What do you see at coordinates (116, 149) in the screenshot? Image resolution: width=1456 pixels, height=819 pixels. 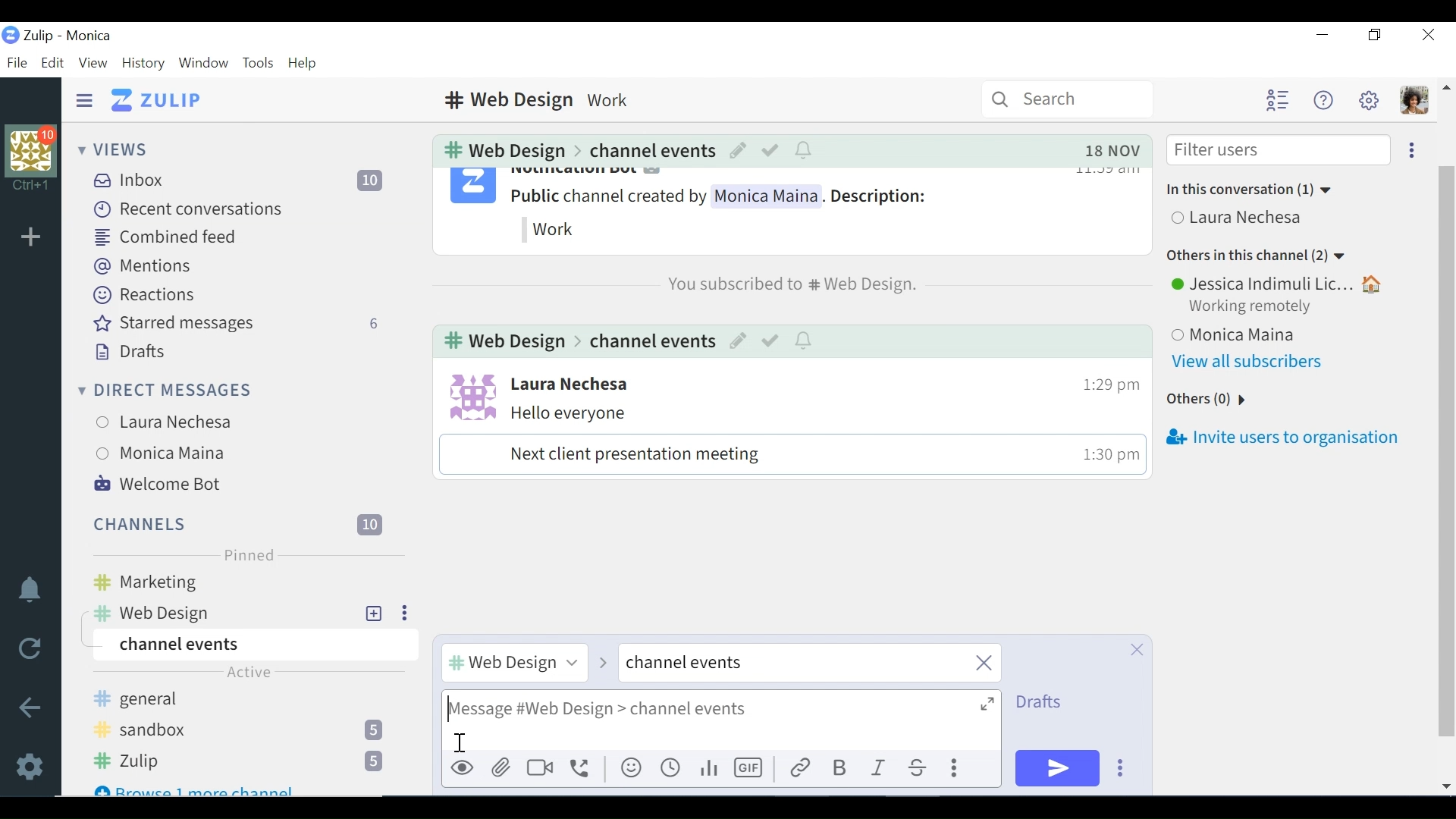 I see `Views menu` at bounding box center [116, 149].